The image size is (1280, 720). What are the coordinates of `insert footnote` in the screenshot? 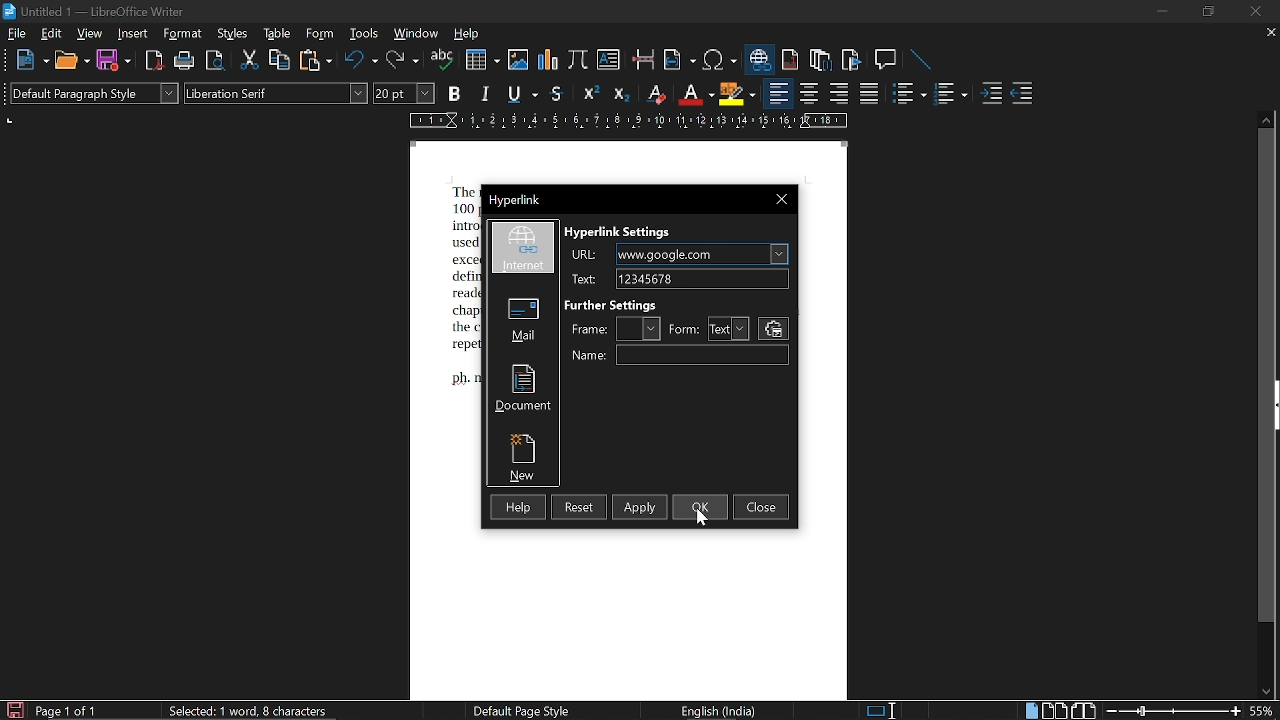 It's located at (790, 60).